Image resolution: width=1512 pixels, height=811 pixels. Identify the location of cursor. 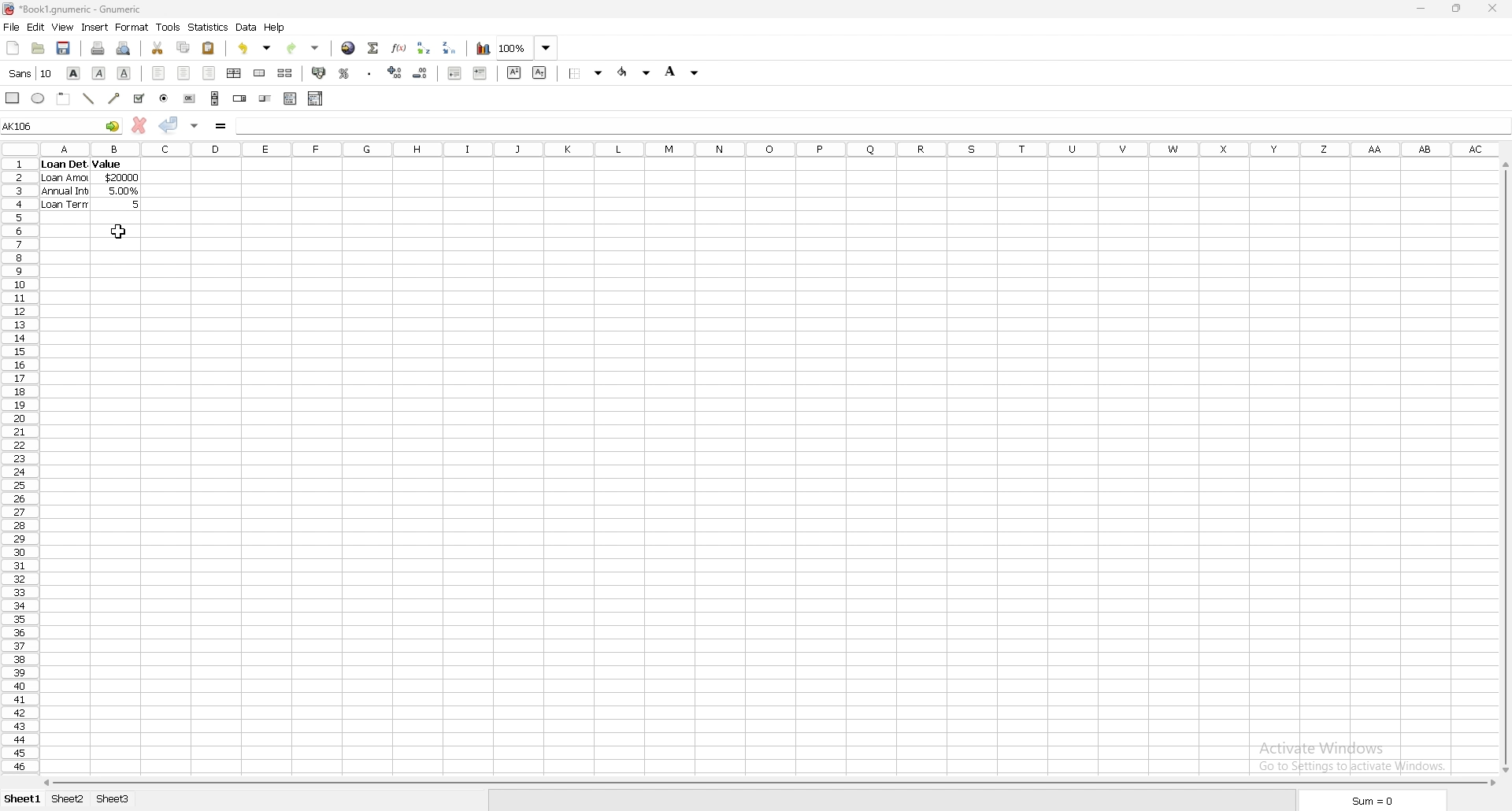
(117, 231).